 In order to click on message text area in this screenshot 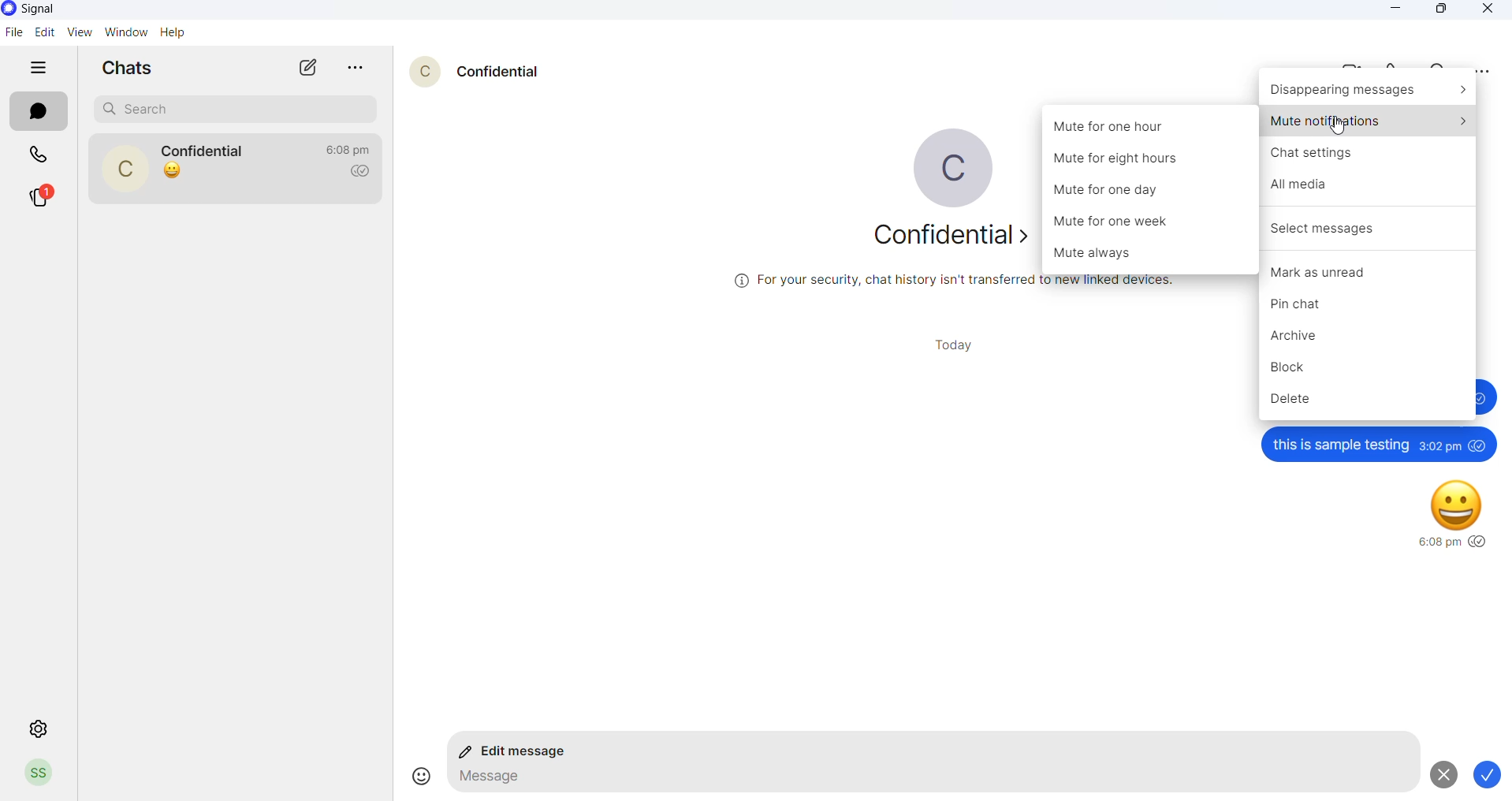, I will do `click(926, 781)`.